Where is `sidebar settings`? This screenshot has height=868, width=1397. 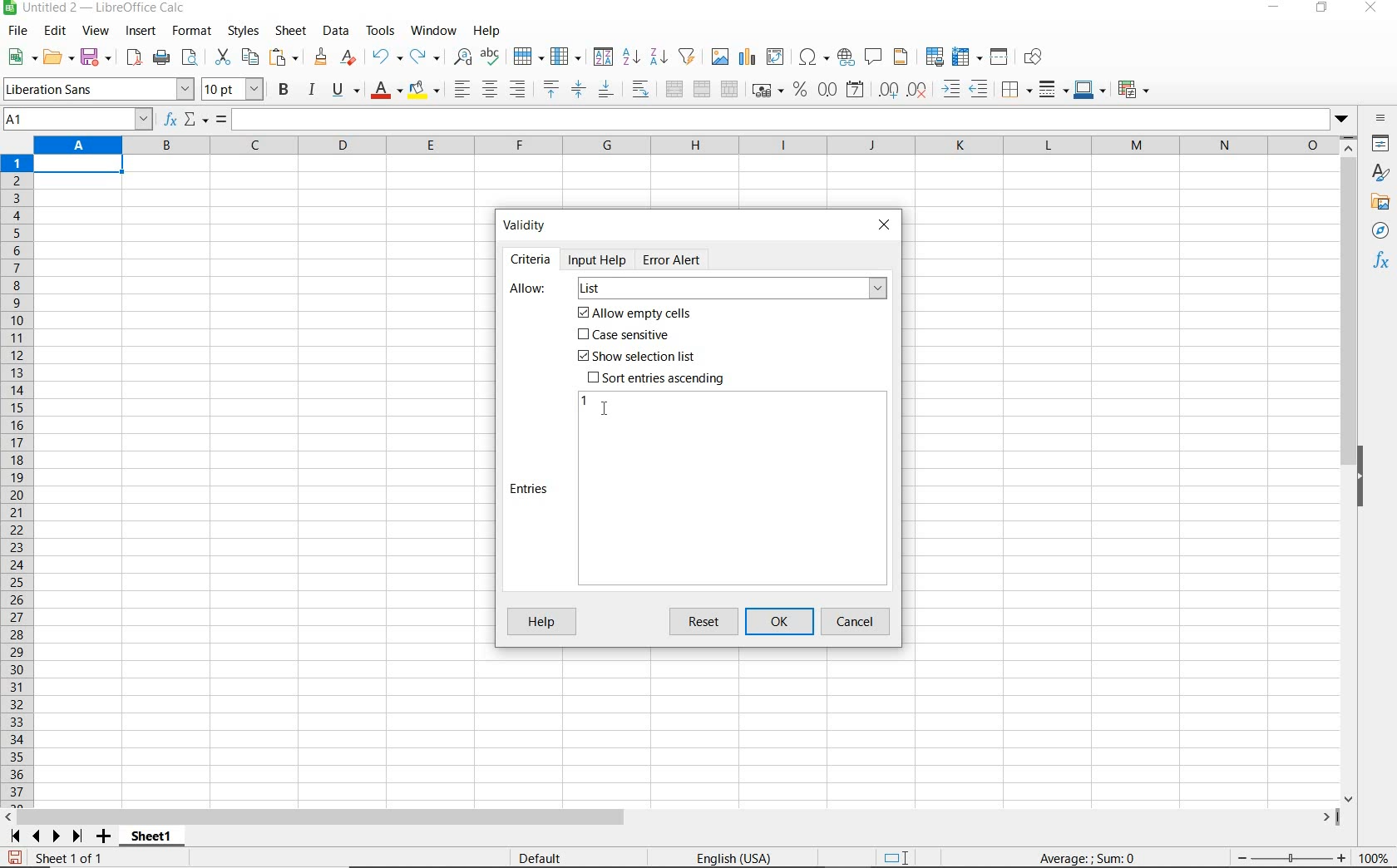 sidebar settings is located at coordinates (1381, 120).